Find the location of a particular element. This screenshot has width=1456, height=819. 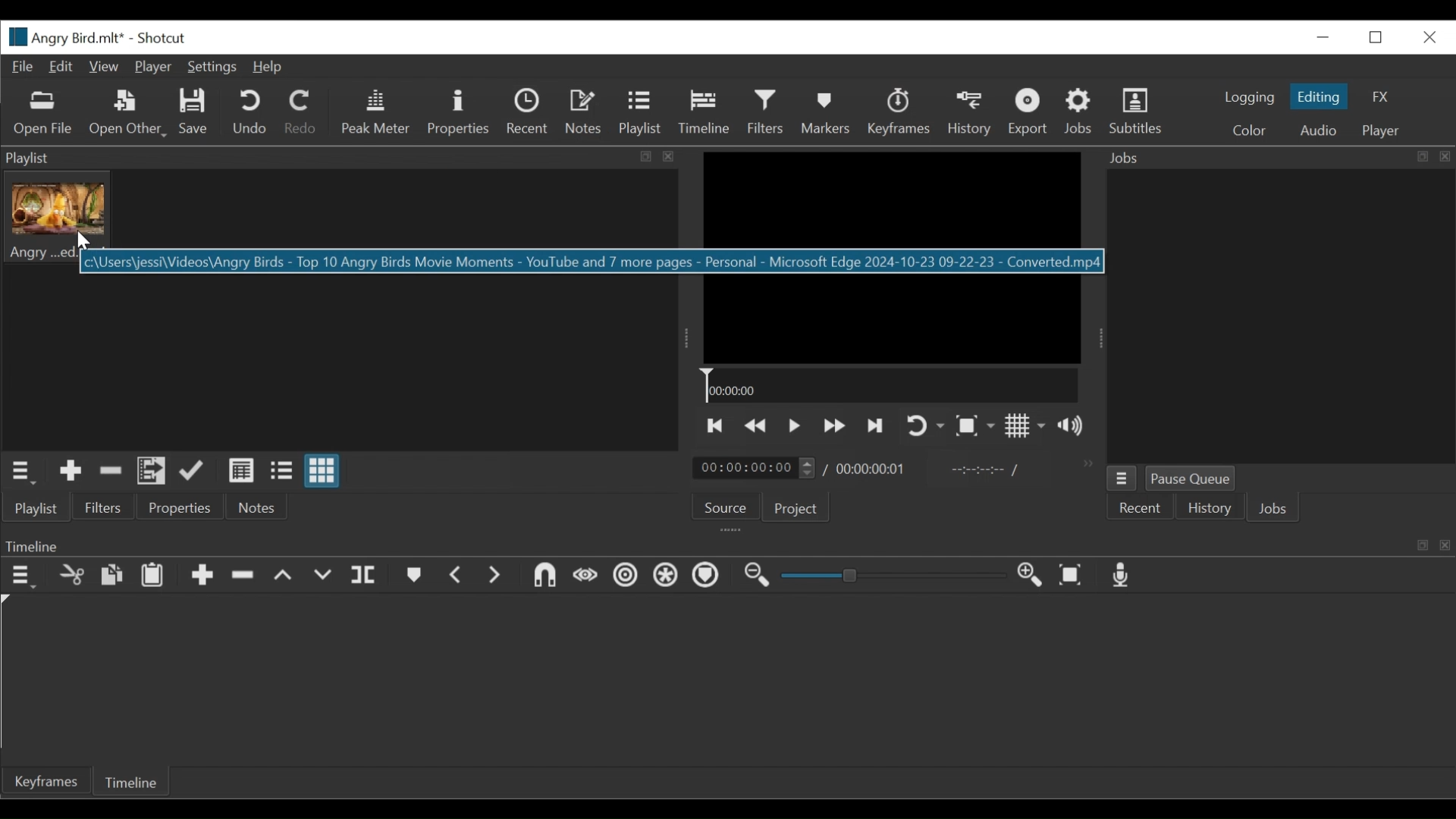

Timeline is located at coordinates (704, 111).